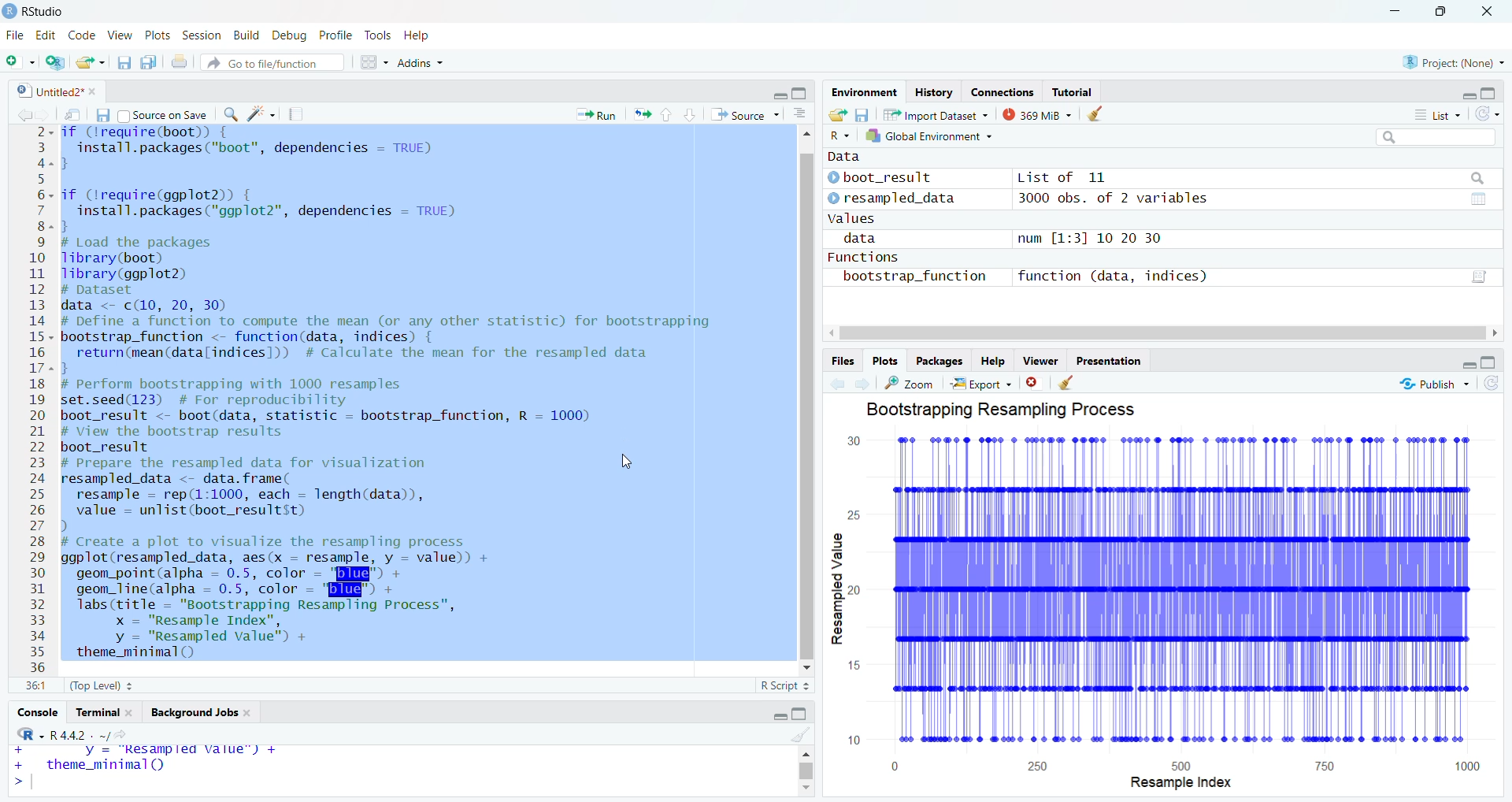 Image resolution: width=1512 pixels, height=802 pixels. Describe the element at coordinates (298, 114) in the screenshot. I see `compile reports` at that location.